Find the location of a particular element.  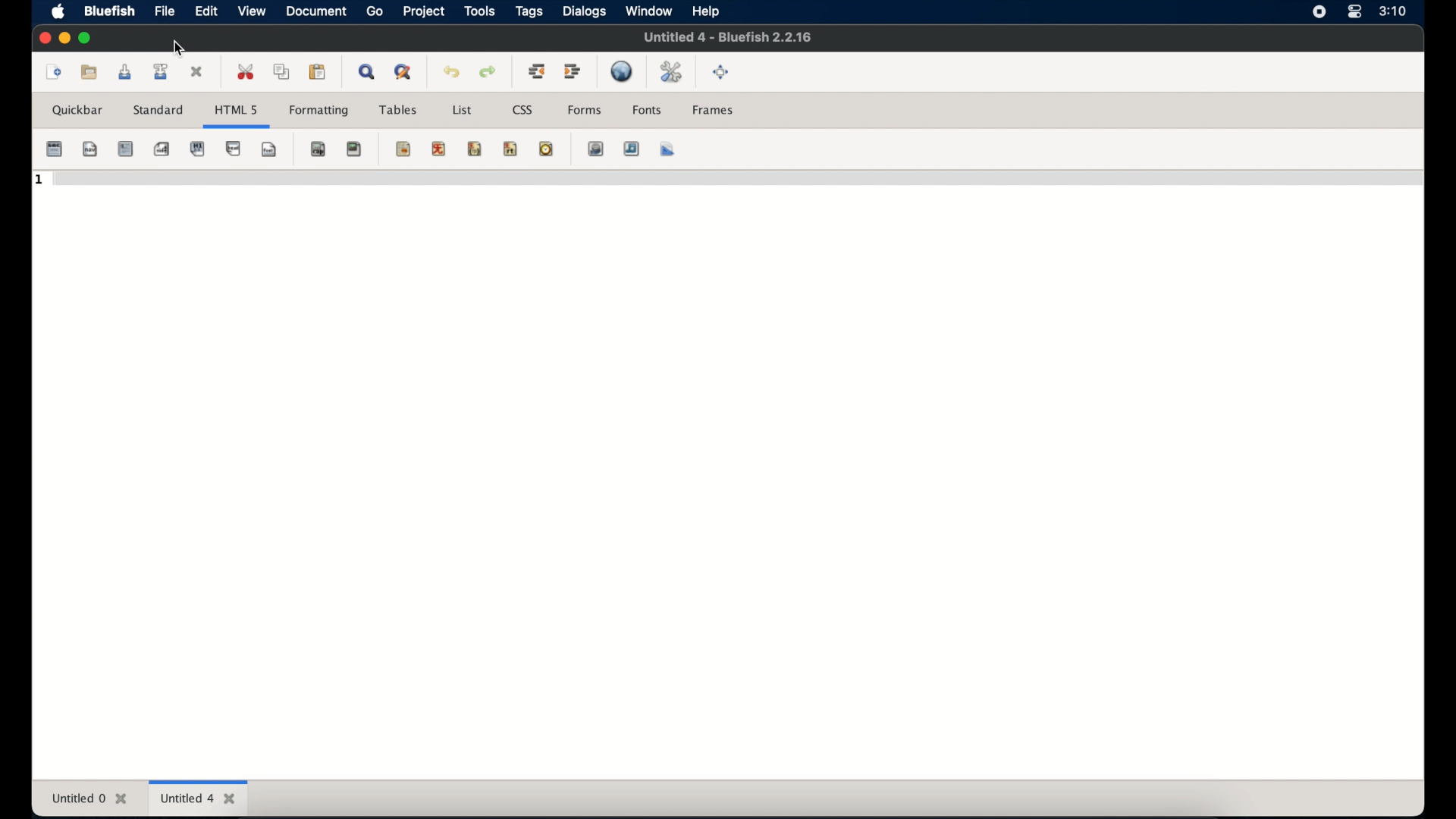

edit preferences is located at coordinates (673, 73).